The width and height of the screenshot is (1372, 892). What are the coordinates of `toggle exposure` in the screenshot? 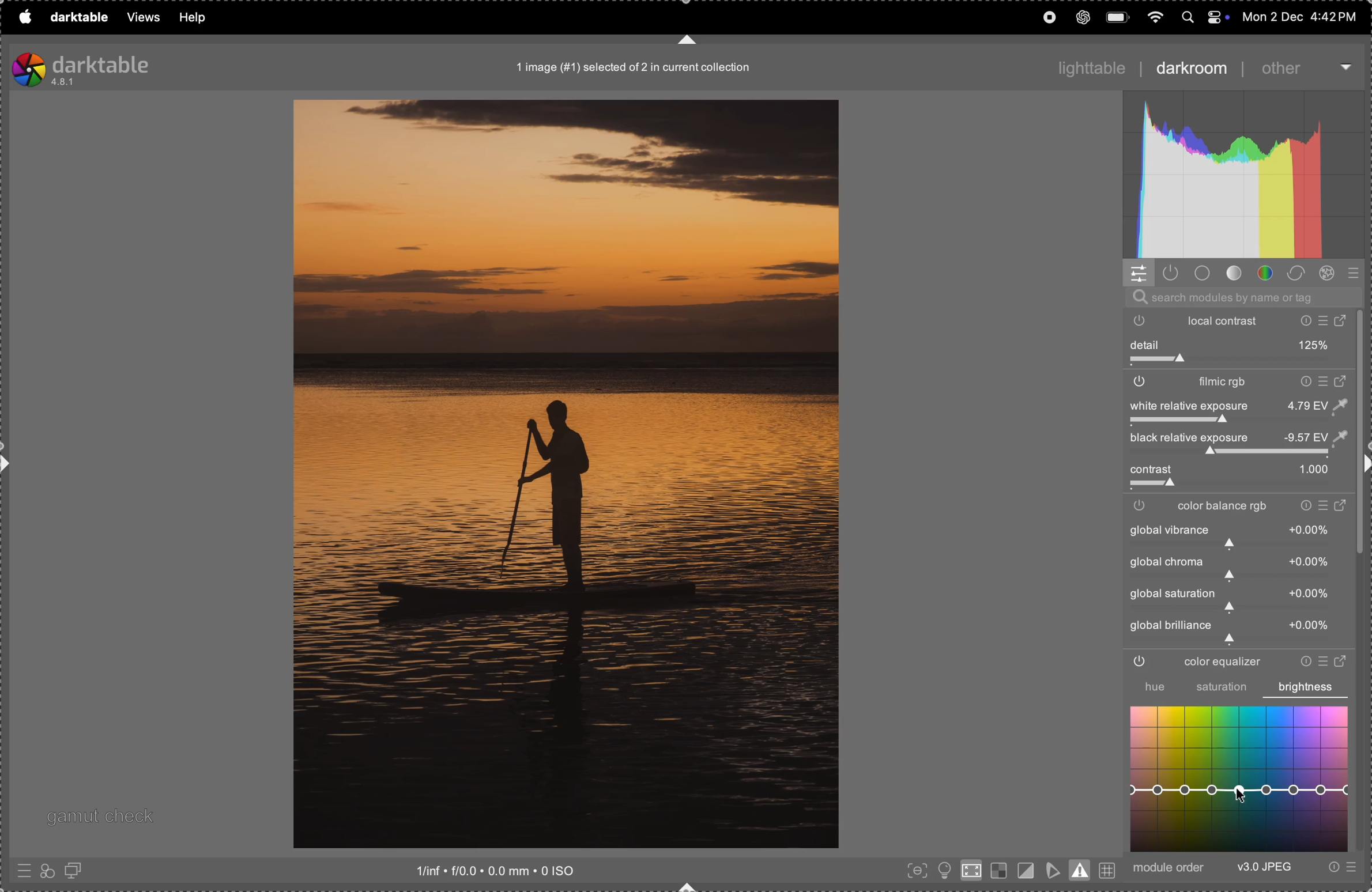 It's located at (1148, 422).